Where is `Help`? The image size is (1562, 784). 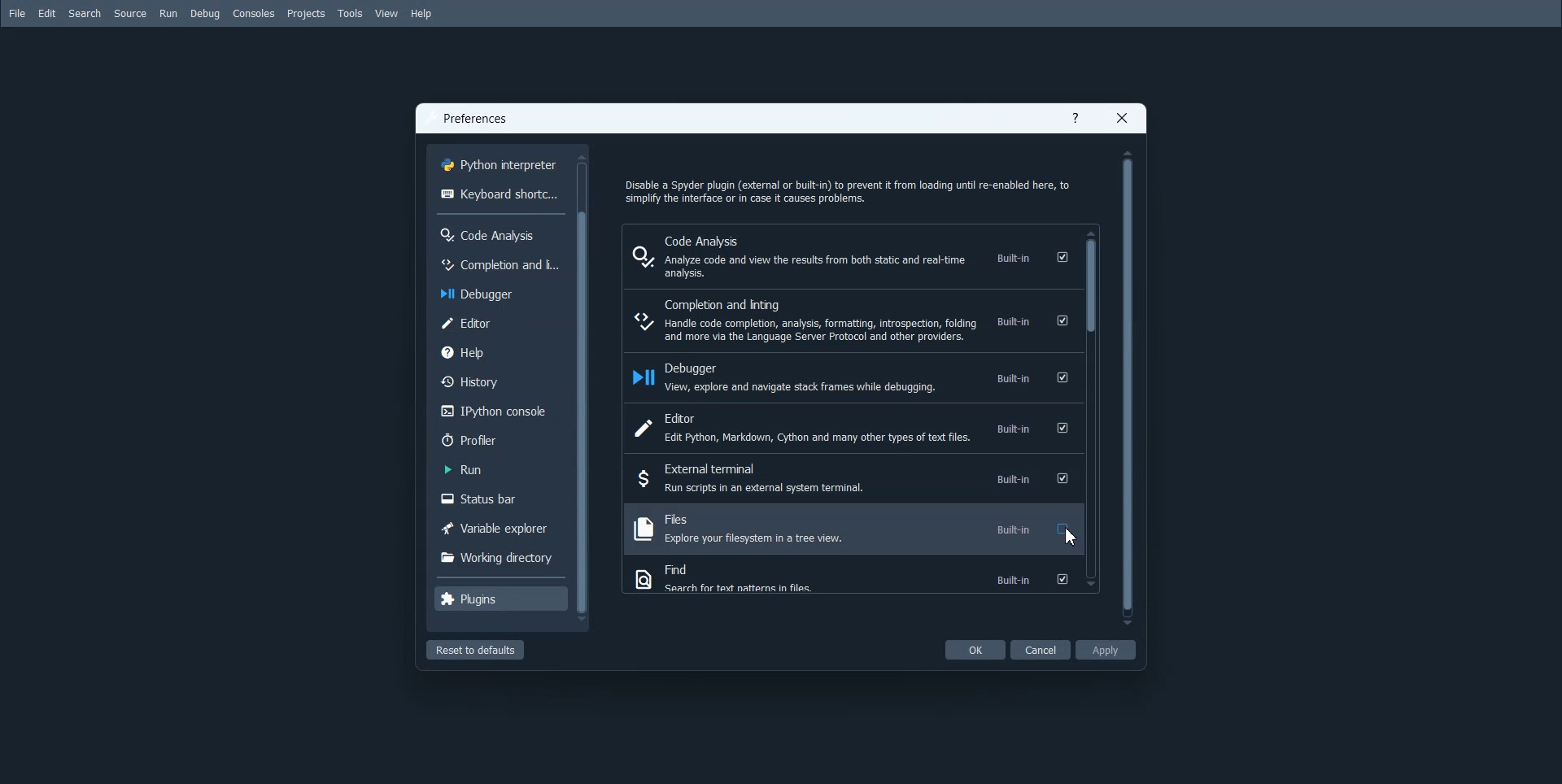 Help is located at coordinates (421, 14).